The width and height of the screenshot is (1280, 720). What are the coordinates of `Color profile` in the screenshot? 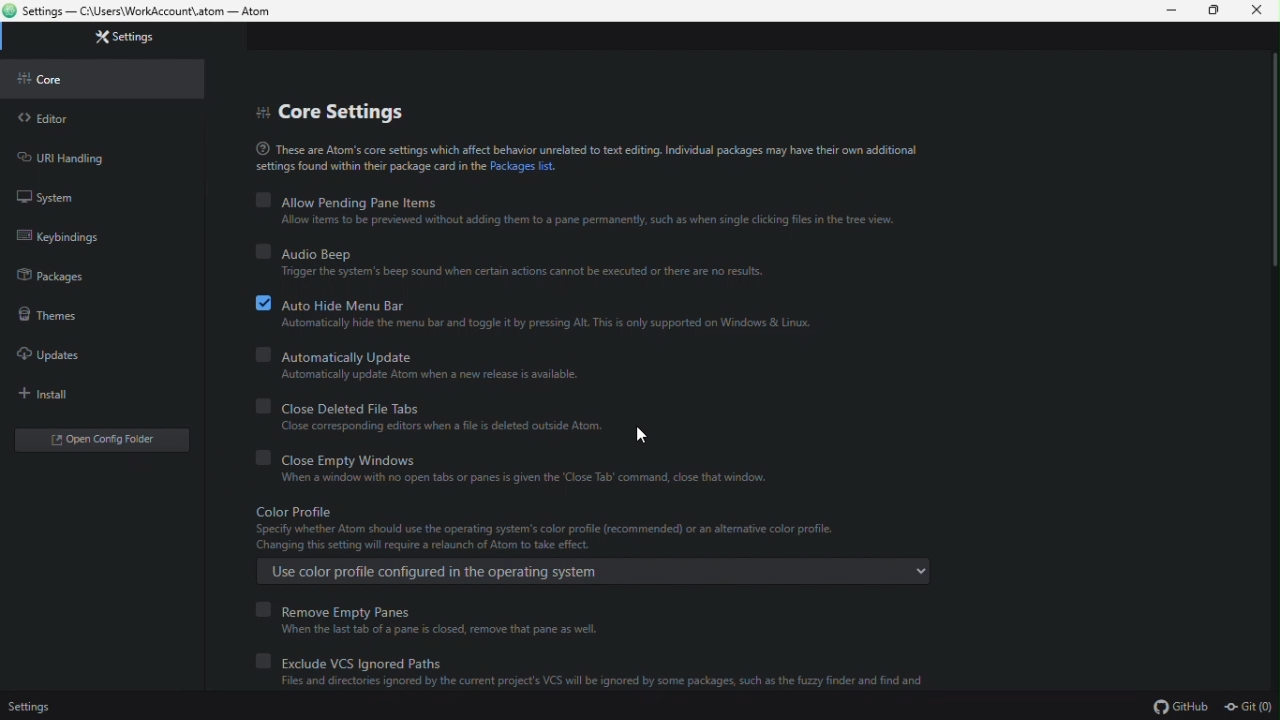 It's located at (593, 541).